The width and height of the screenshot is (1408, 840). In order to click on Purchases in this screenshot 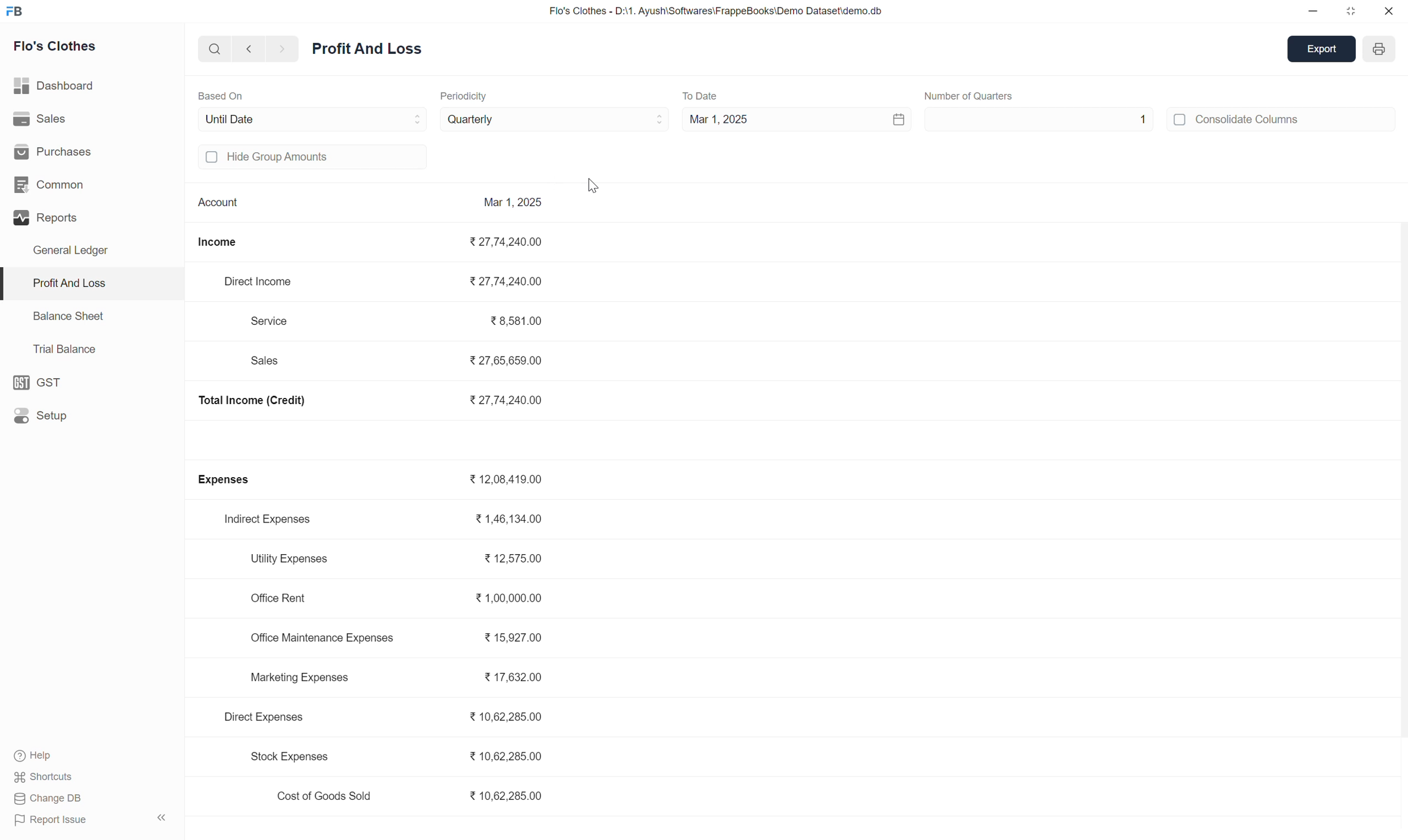, I will do `click(54, 155)`.